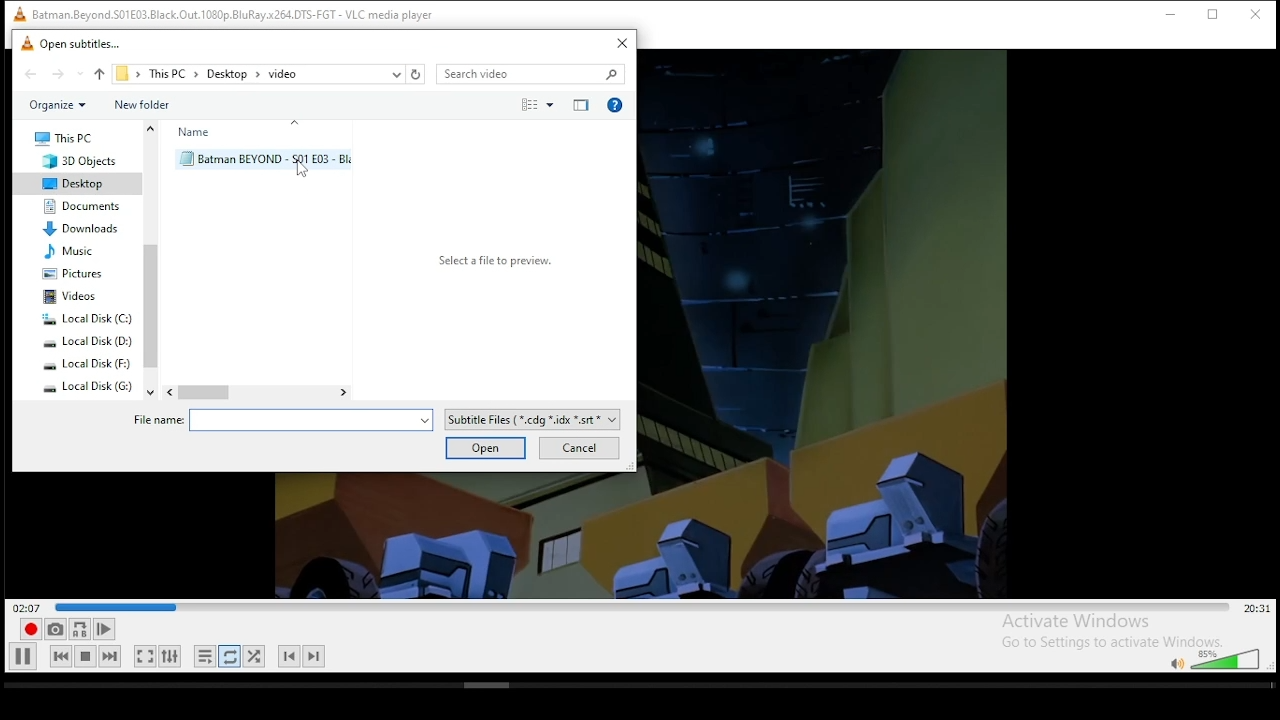 The width and height of the screenshot is (1280, 720). Describe the element at coordinates (105, 629) in the screenshot. I see `frame by frame` at that location.